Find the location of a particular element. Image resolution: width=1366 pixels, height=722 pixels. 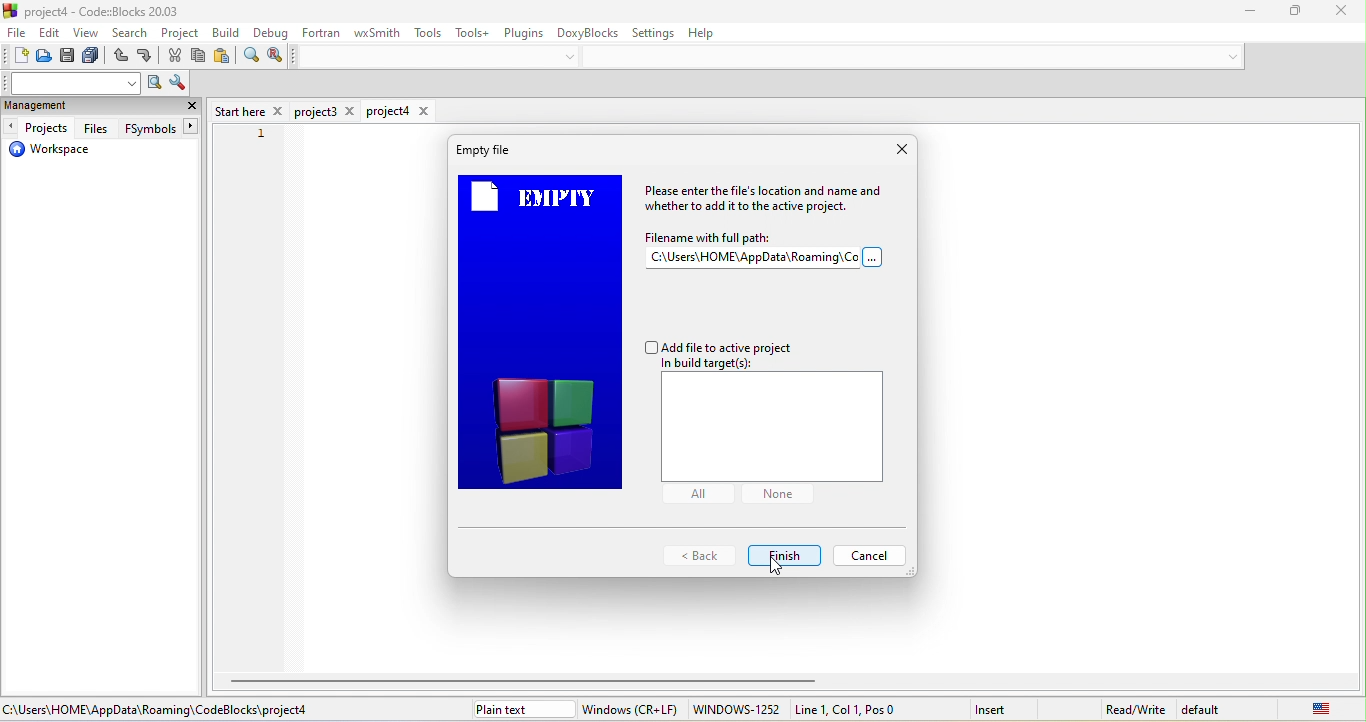

line 1, col 1 , pos 0 is located at coordinates (869, 709).